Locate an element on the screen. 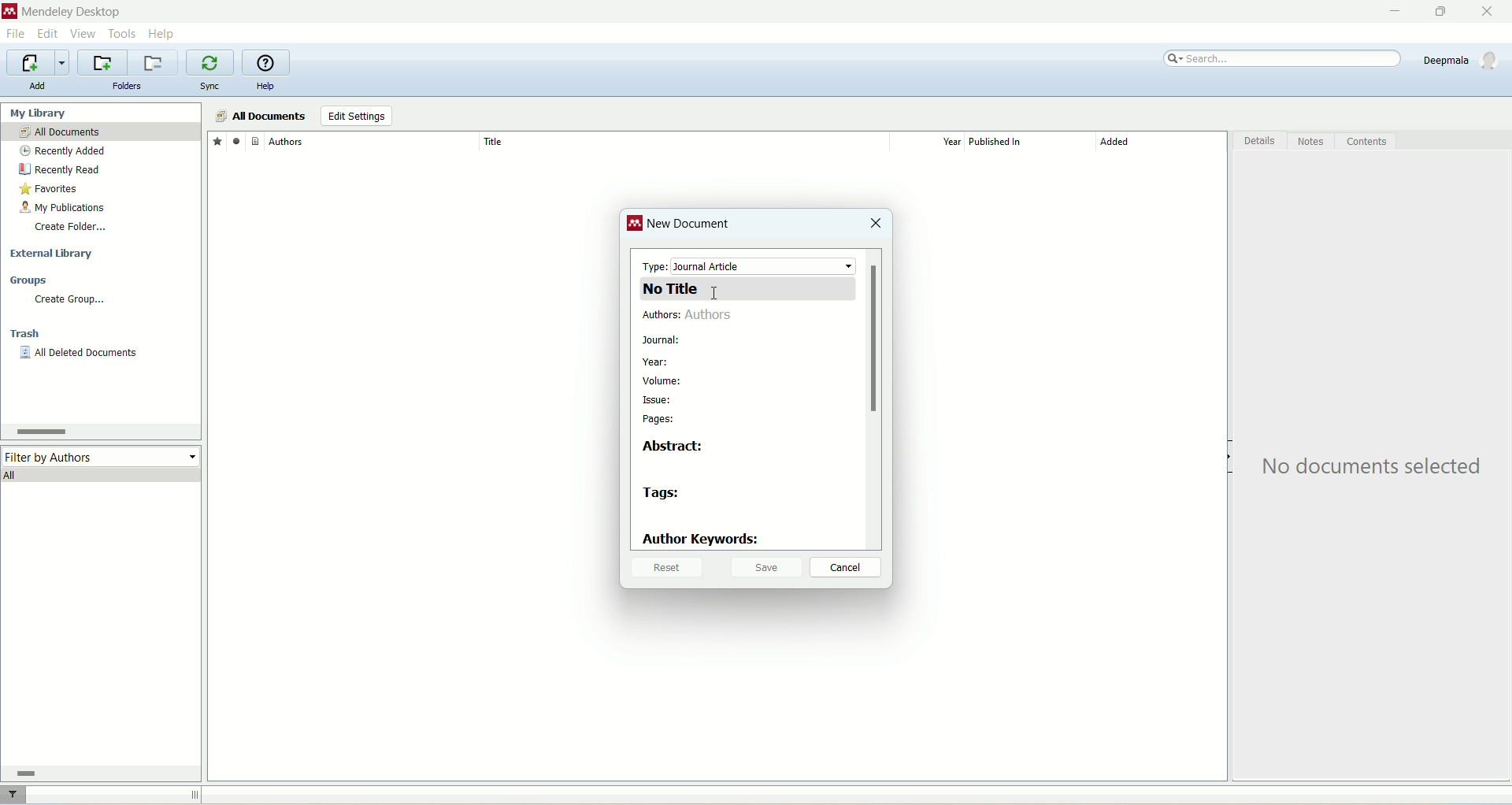 The width and height of the screenshot is (1512, 805). journal is located at coordinates (662, 340).